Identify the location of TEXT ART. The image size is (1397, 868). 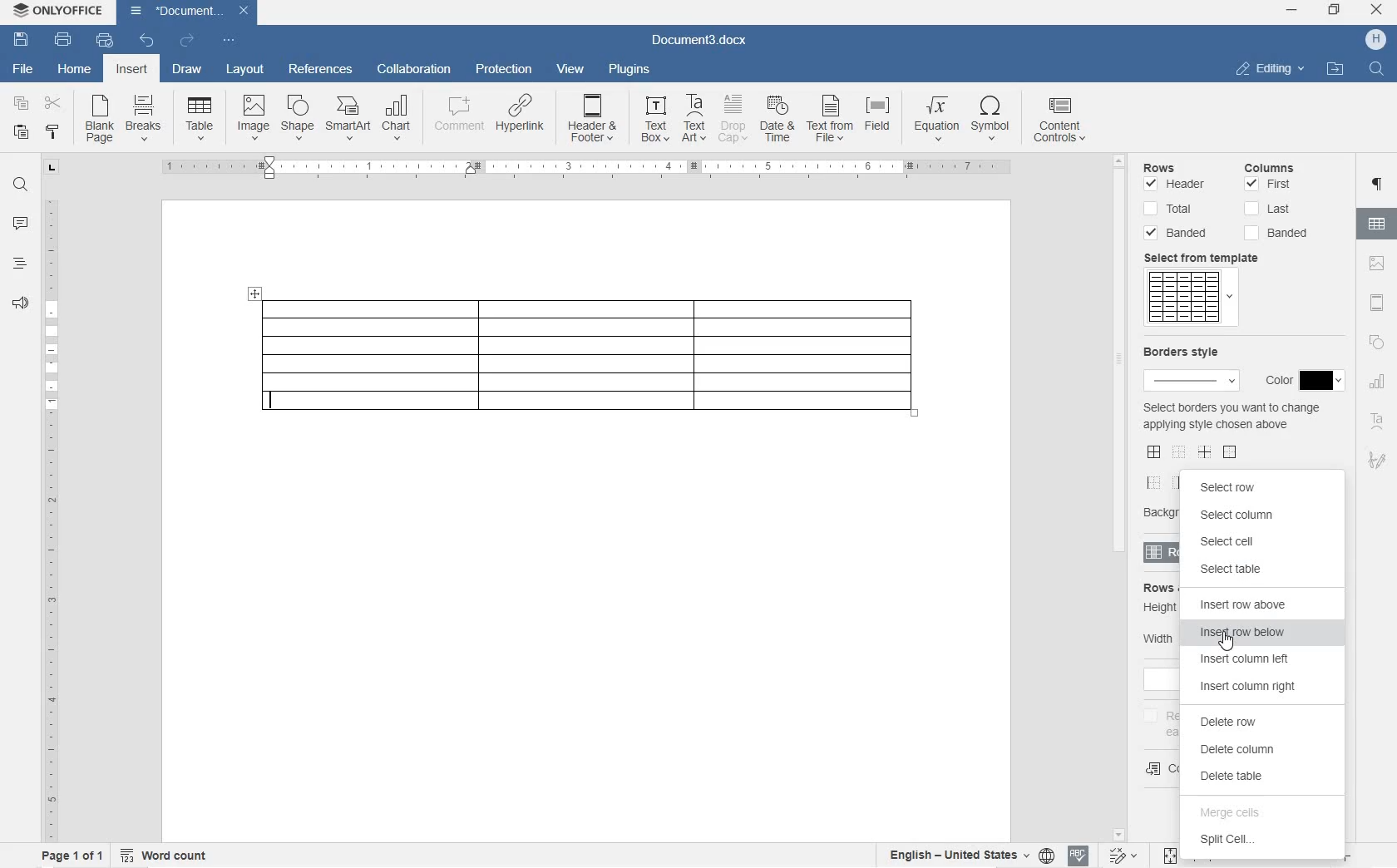
(1378, 422).